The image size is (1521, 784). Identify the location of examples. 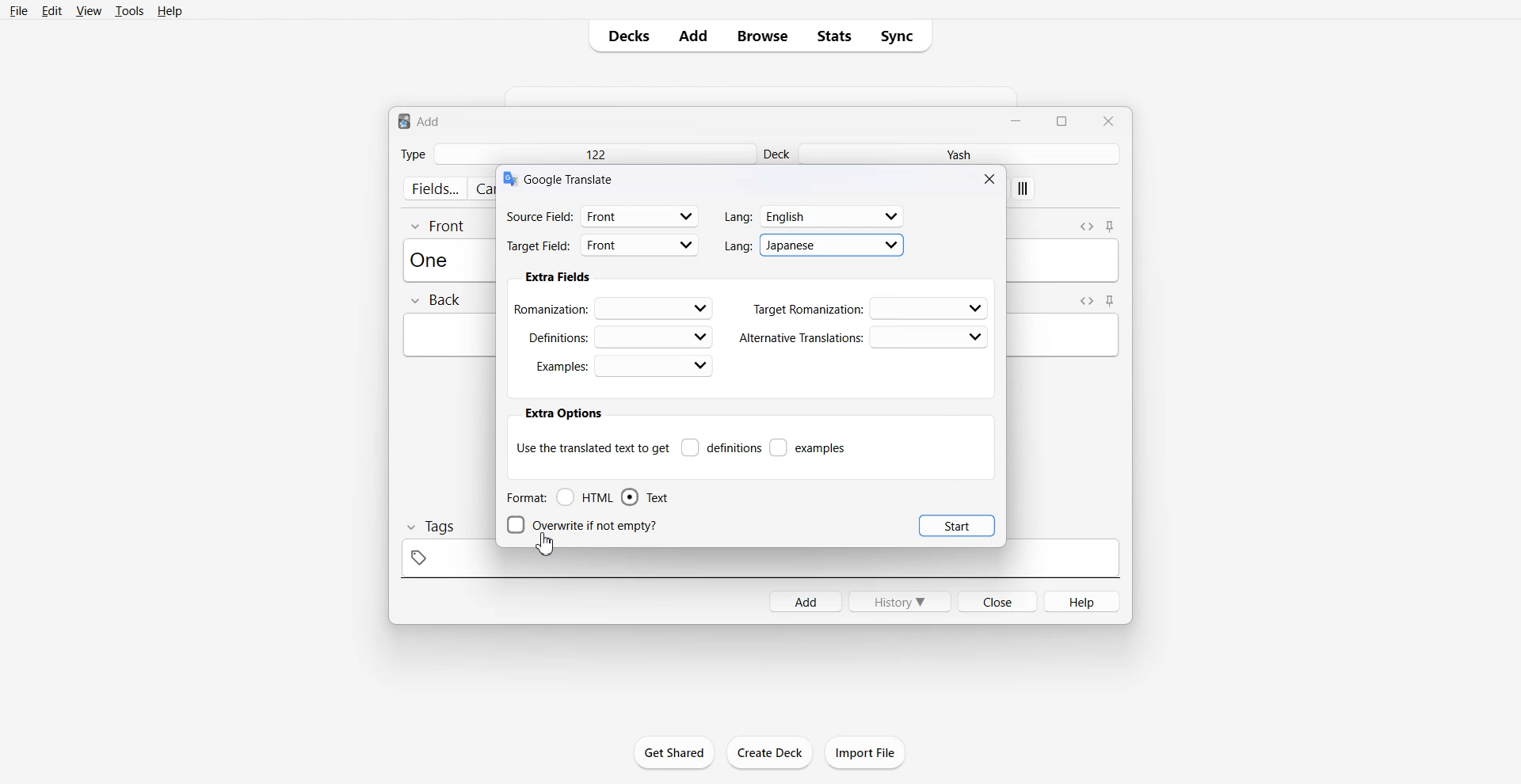
(809, 447).